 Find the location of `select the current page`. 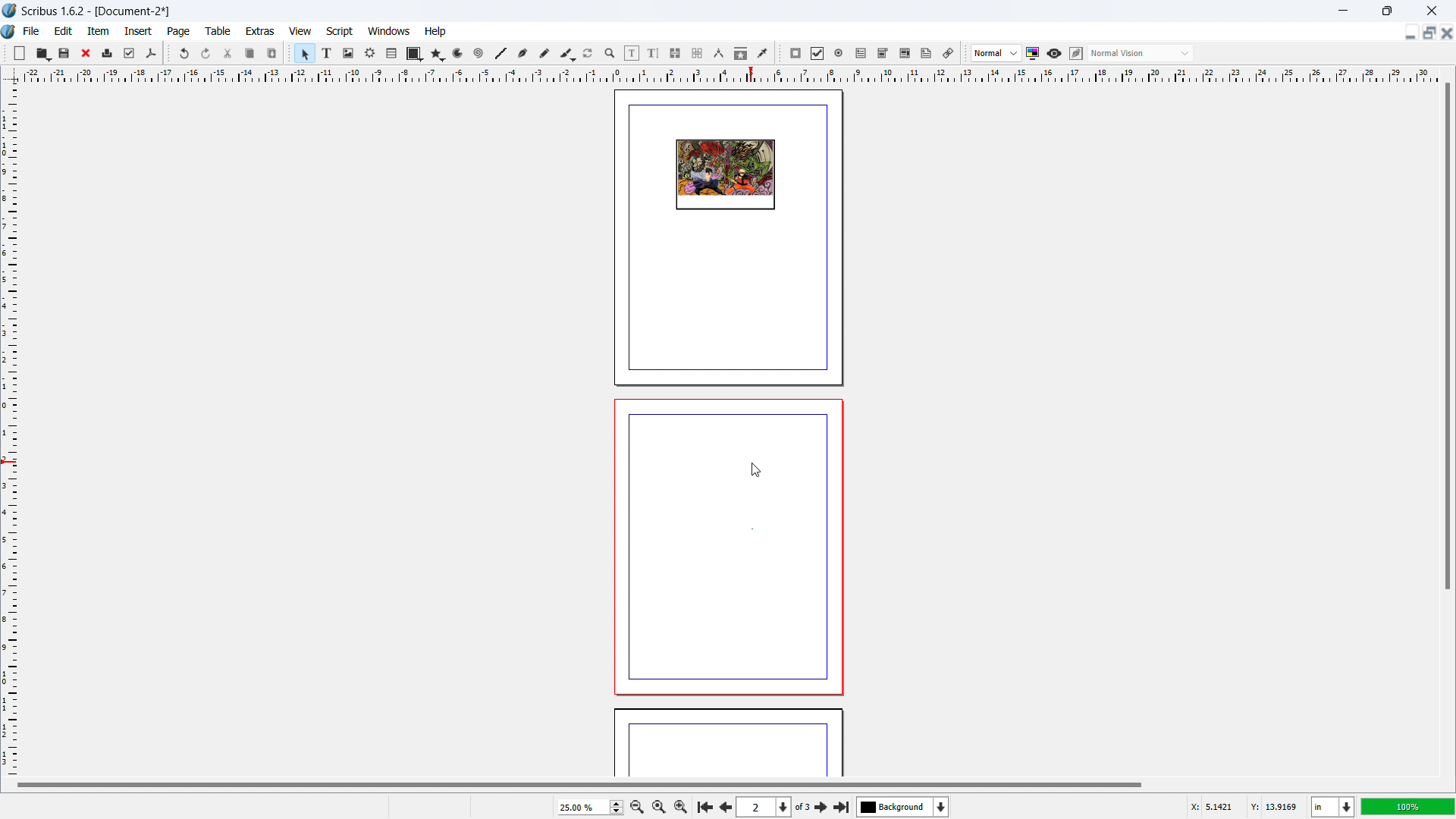

select the current page is located at coordinates (764, 808).